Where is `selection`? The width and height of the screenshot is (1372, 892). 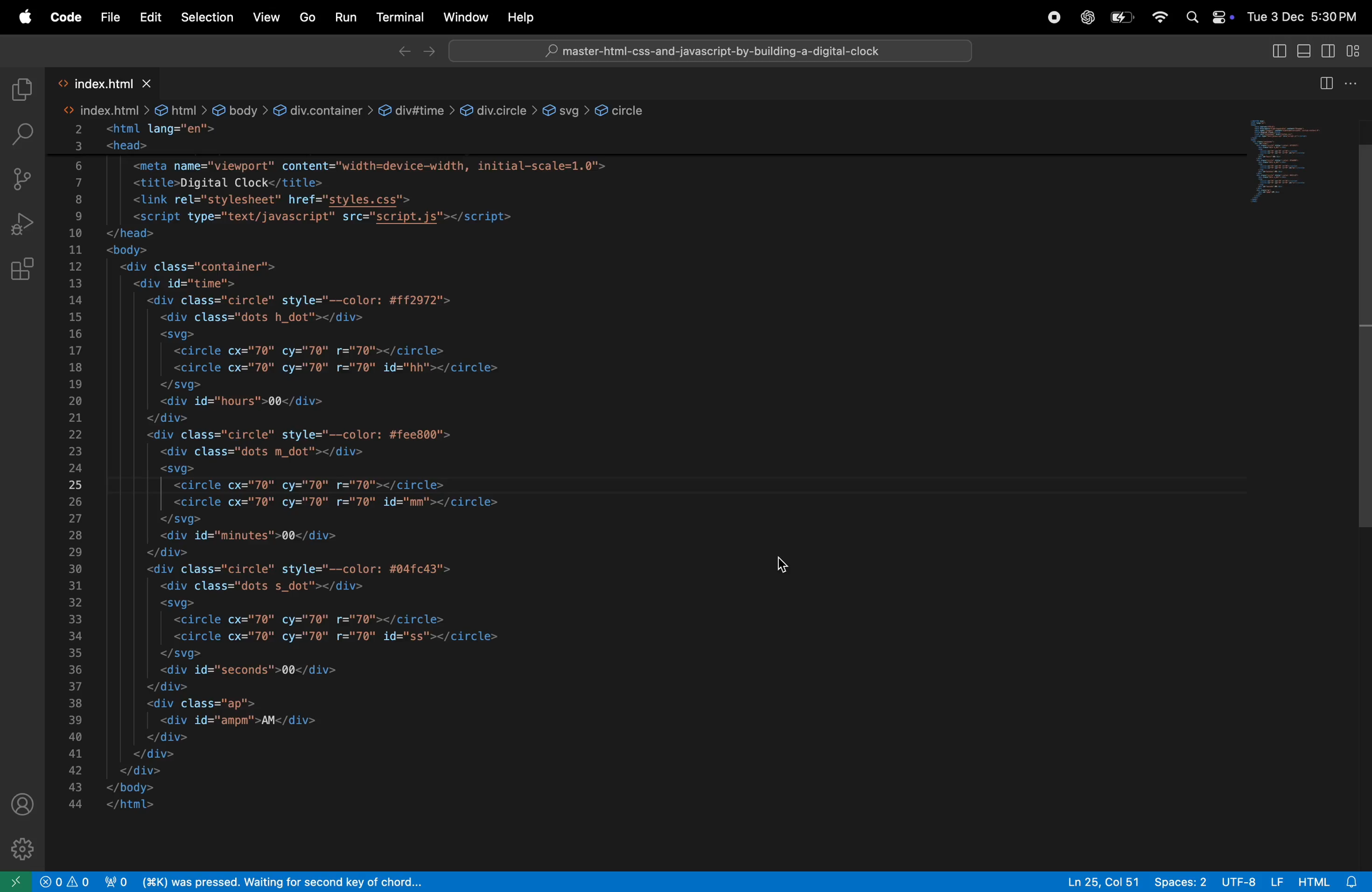
selection is located at coordinates (207, 16).